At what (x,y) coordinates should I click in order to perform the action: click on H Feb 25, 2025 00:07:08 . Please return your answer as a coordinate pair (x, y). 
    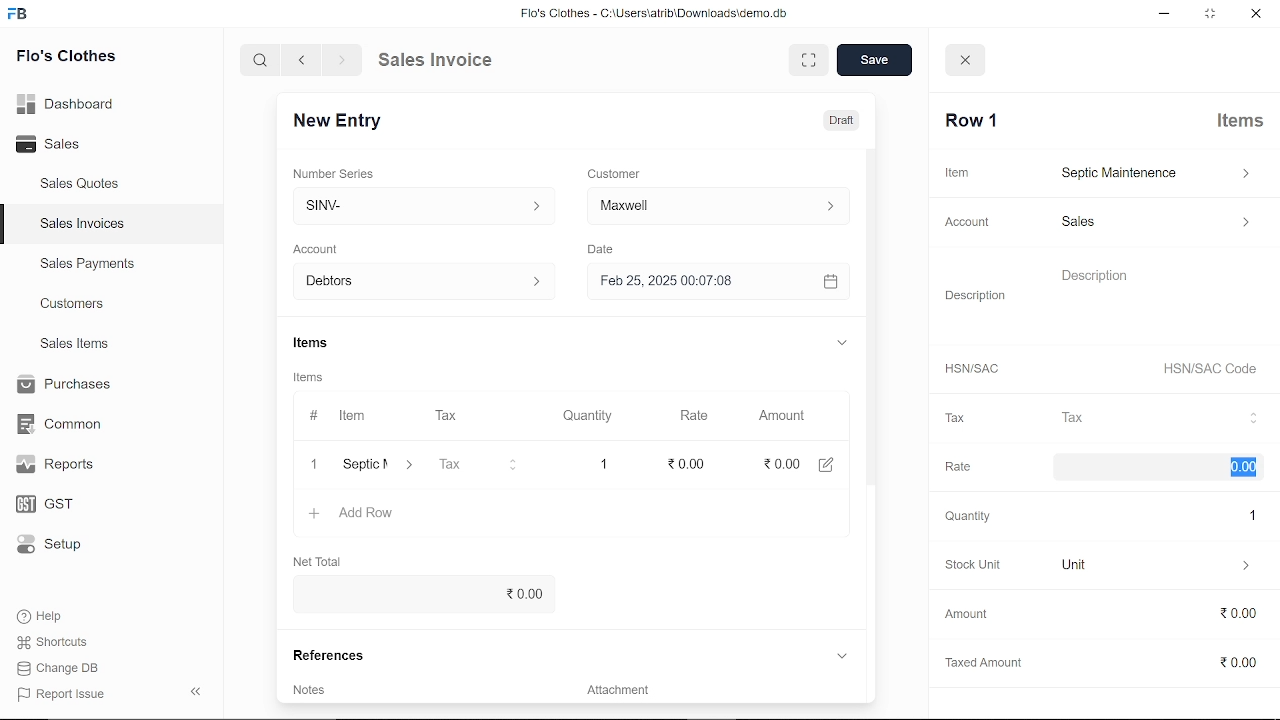
    Looking at the image, I should click on (690, 280).